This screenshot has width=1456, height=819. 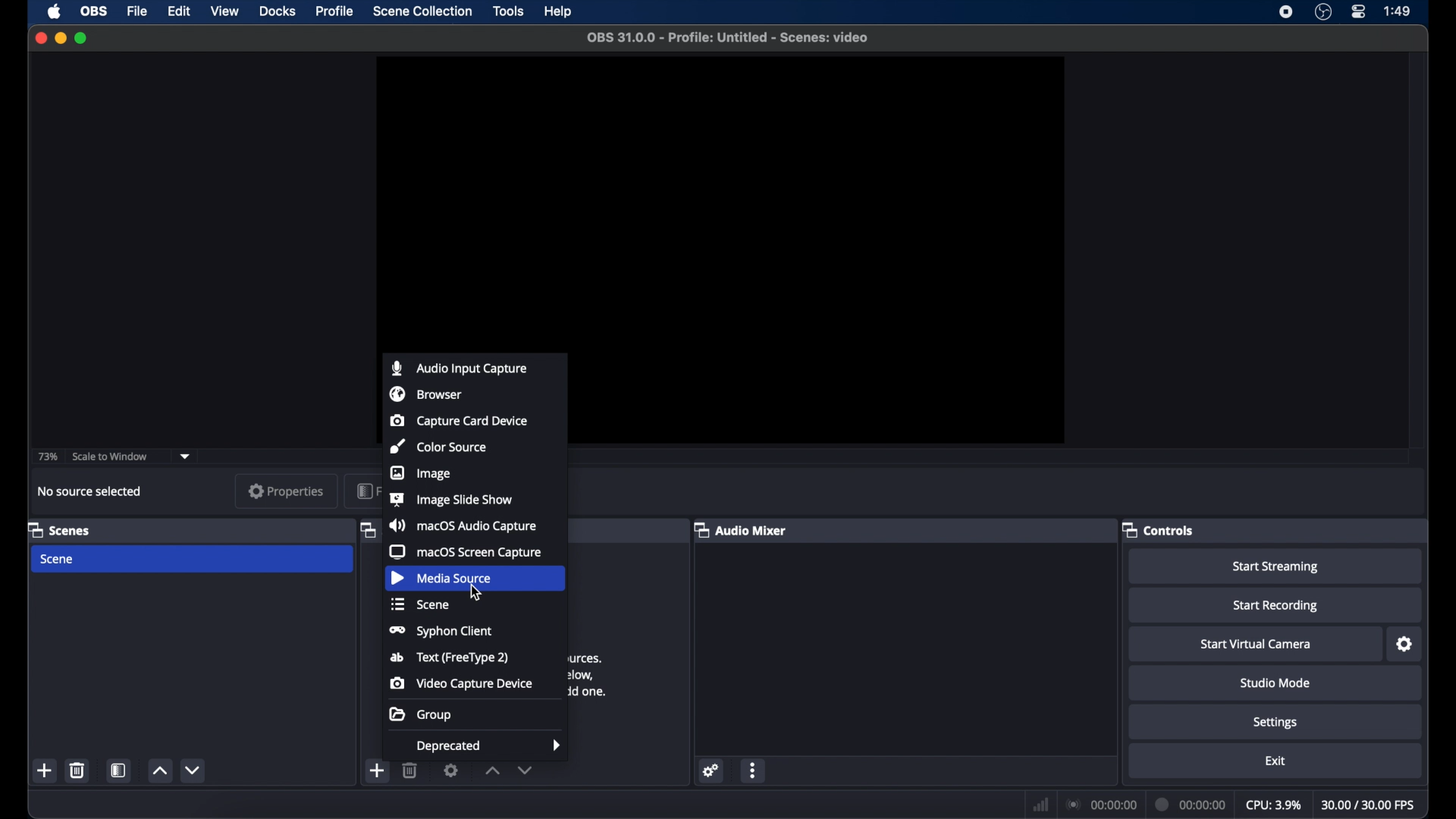 I want to click on ‘You don't have any sources.
Click the + button below,
or right click here to add one., so click(x=597, y=675).